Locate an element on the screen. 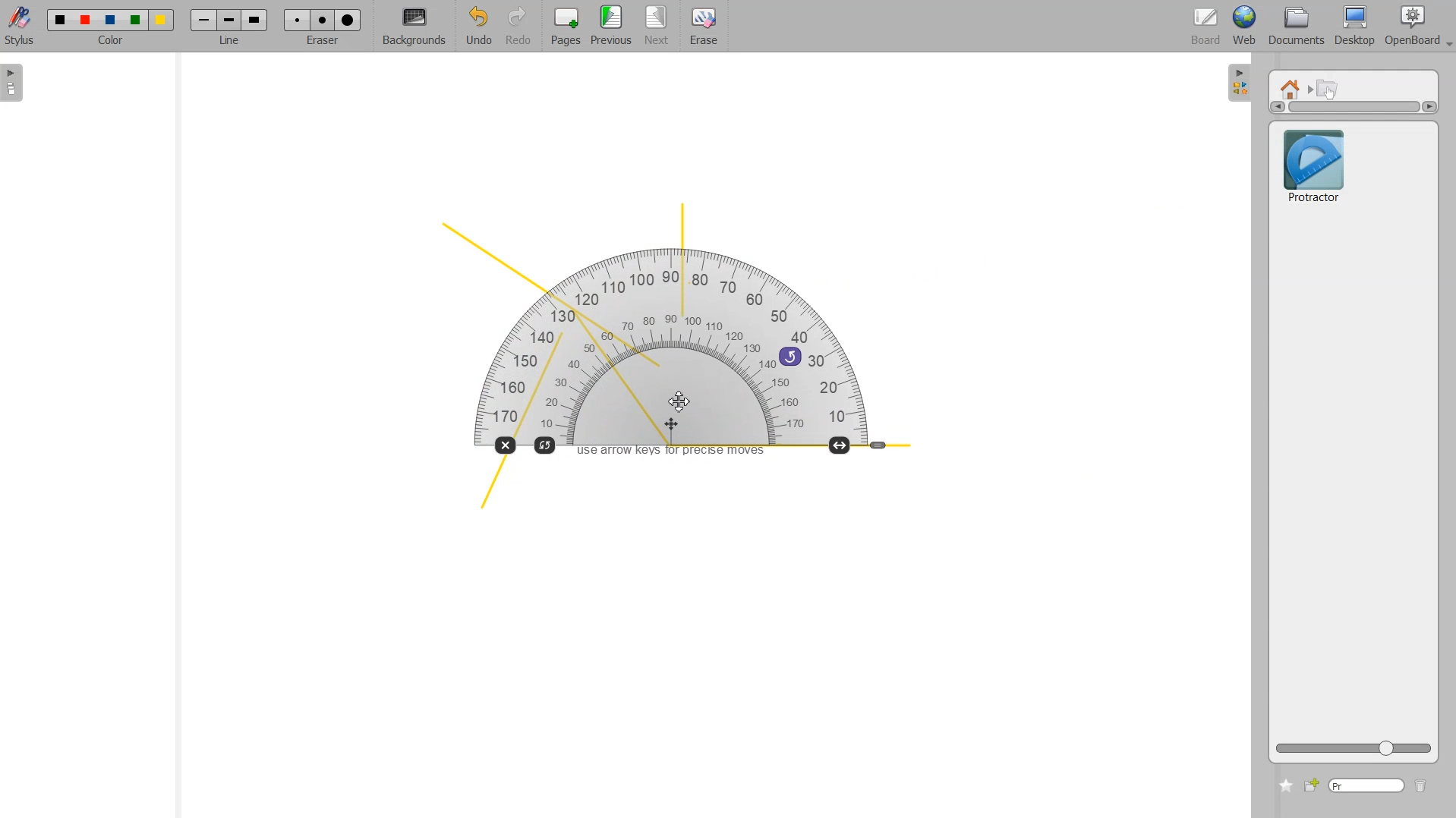  color is located at coordinates (112, 42).